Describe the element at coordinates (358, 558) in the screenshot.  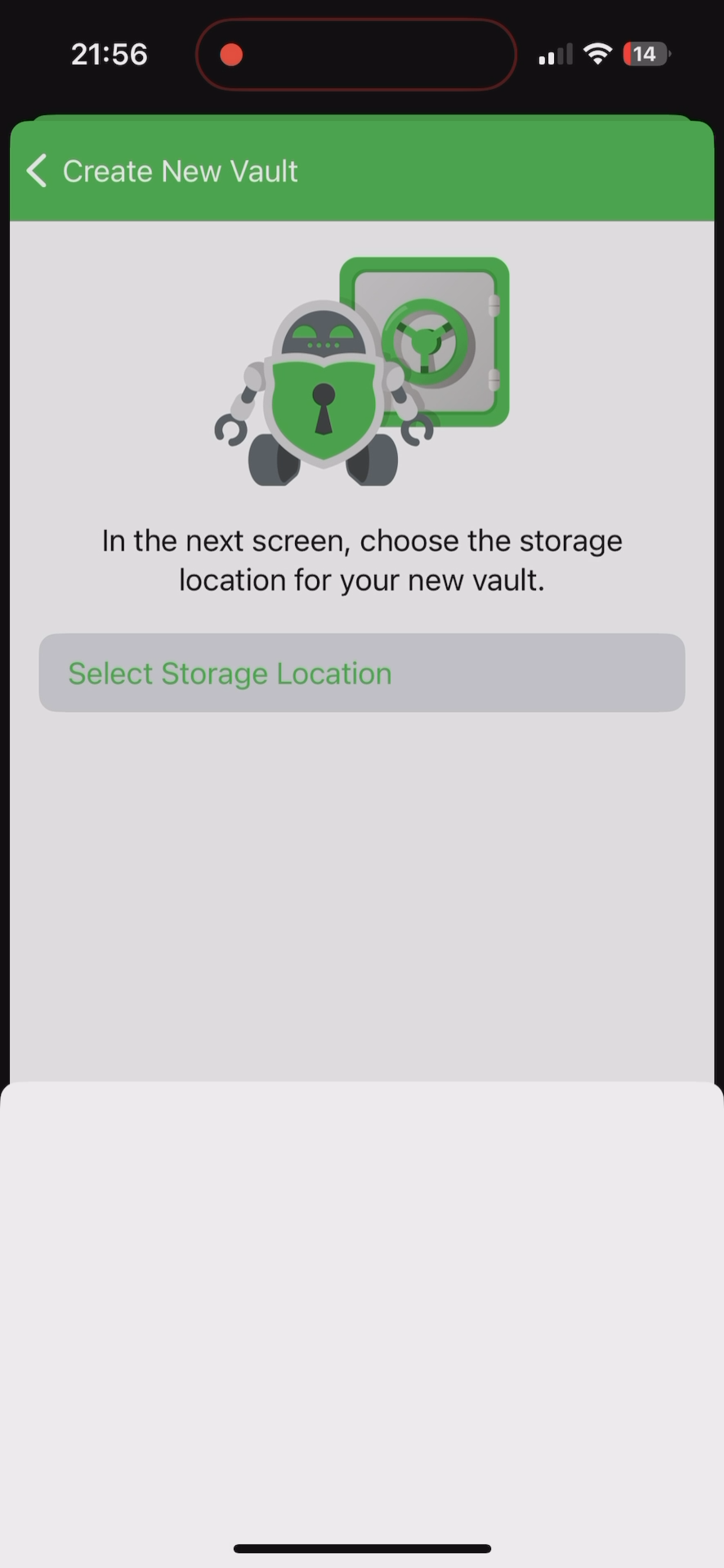
I see `In the next screen, choose the storage location for your new vault.` at that location.